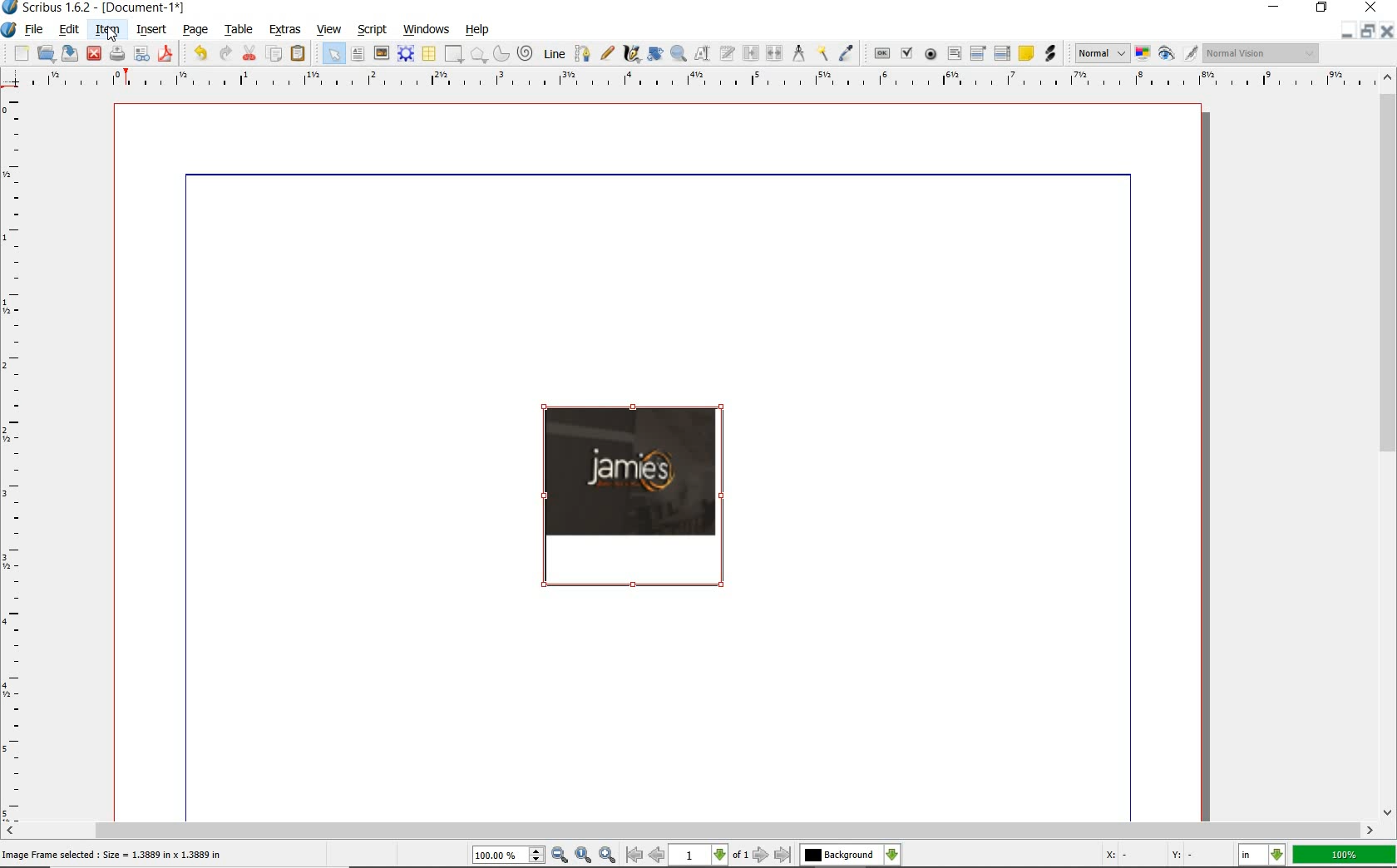 This screenshot has height=868, width=1397. Describe the element at coordinates (430, 55) in the screenshot. I see `table` at that location.